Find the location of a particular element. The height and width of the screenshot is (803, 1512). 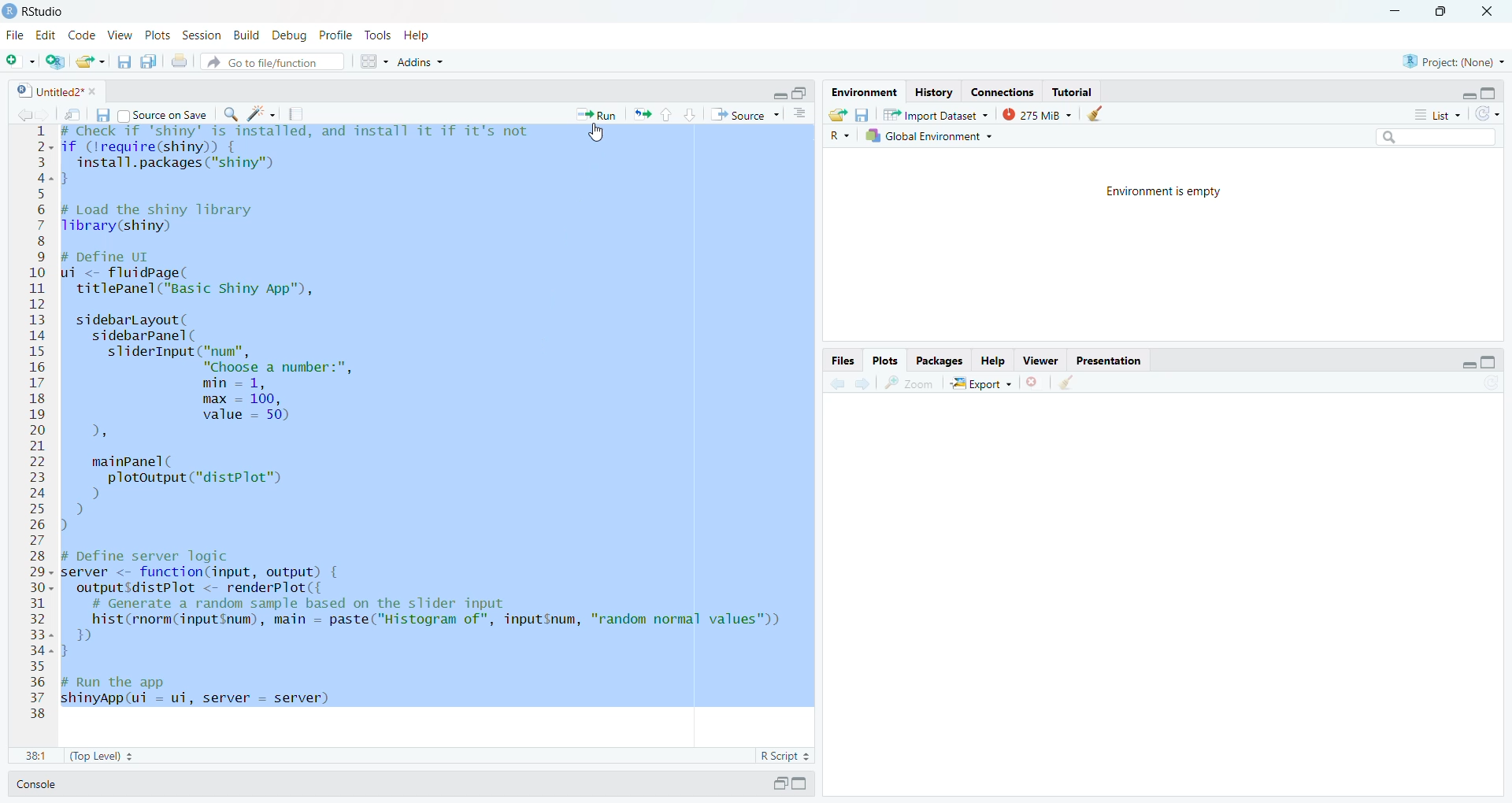

Packages is located at coordinates (939, 361).